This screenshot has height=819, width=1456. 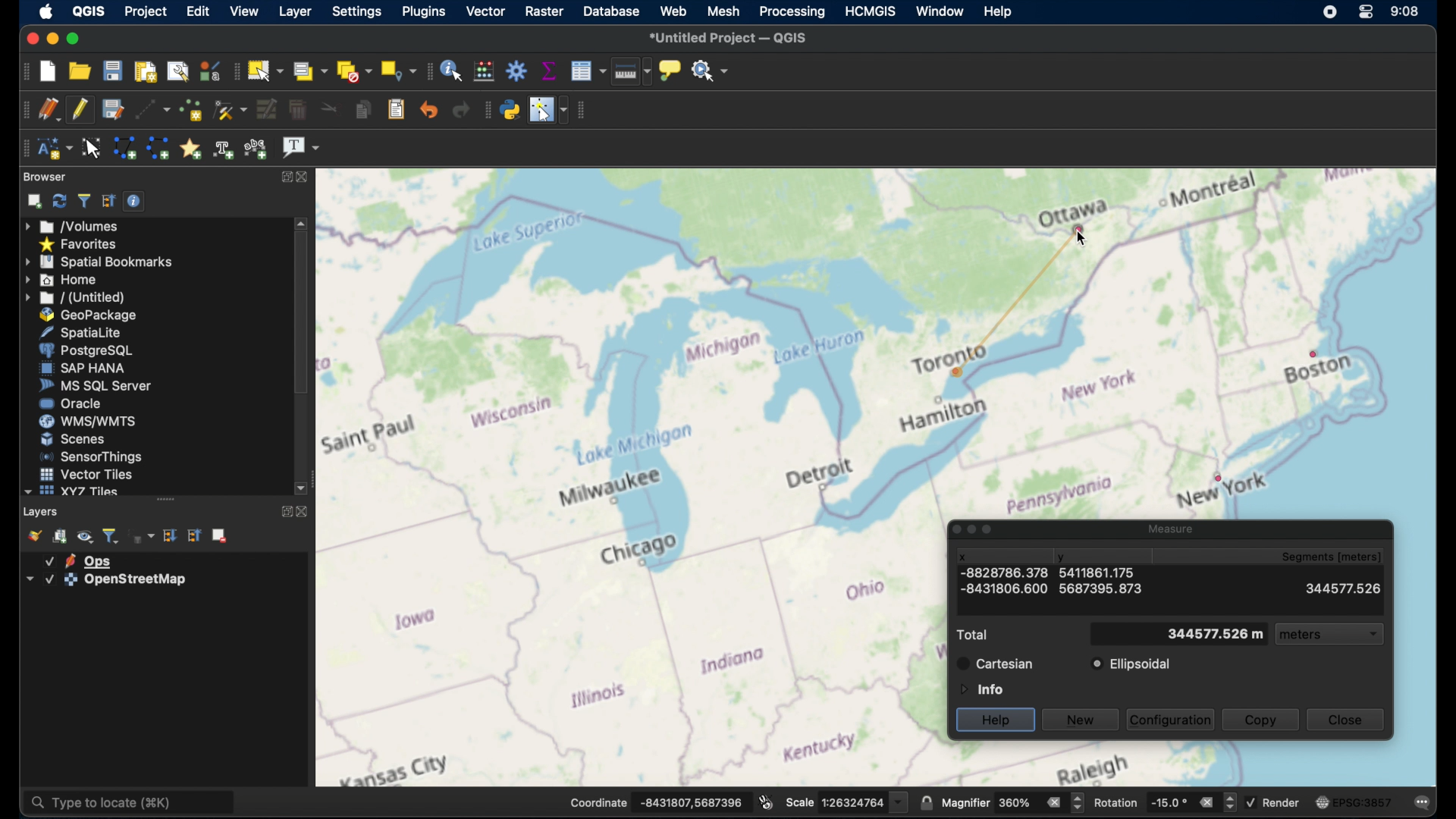 What do you see at coordinates (588, 72) in the screenshot?
I see `open attribute table` at bounding box center [588, 72].